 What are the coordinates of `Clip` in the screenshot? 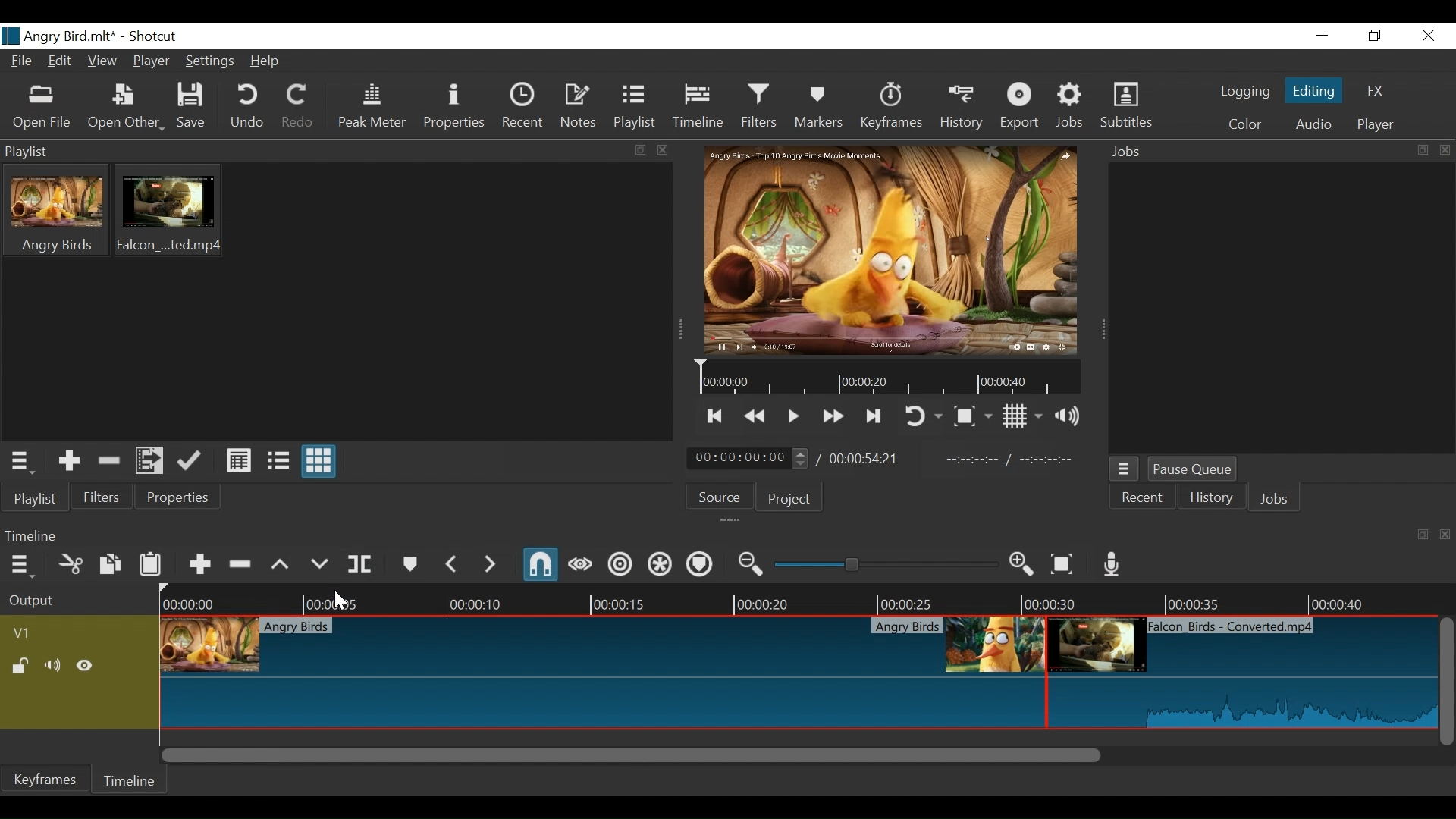 It's located at (1244, 671).